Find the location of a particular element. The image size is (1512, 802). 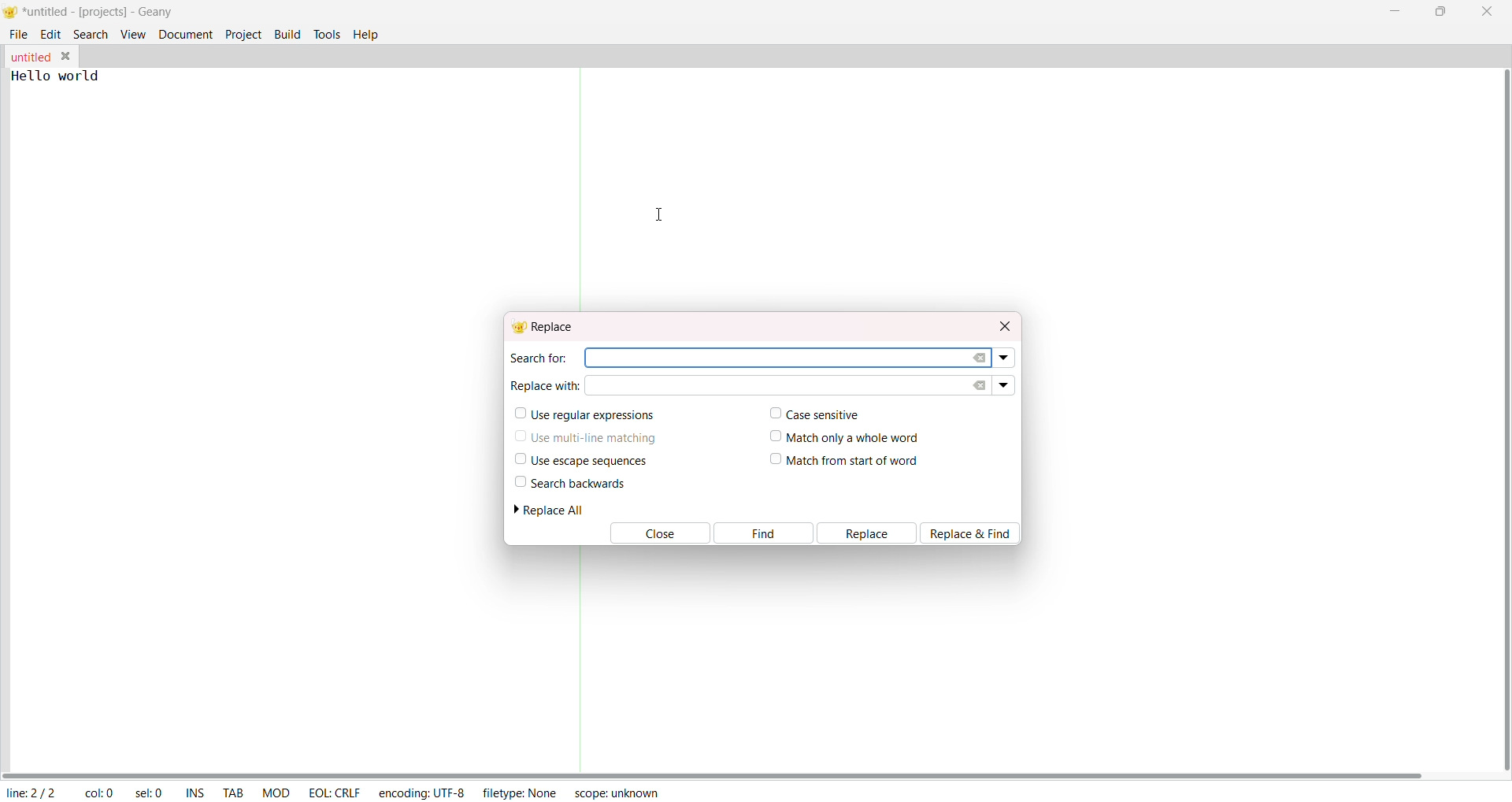

document is located at coordinates (186, 33).